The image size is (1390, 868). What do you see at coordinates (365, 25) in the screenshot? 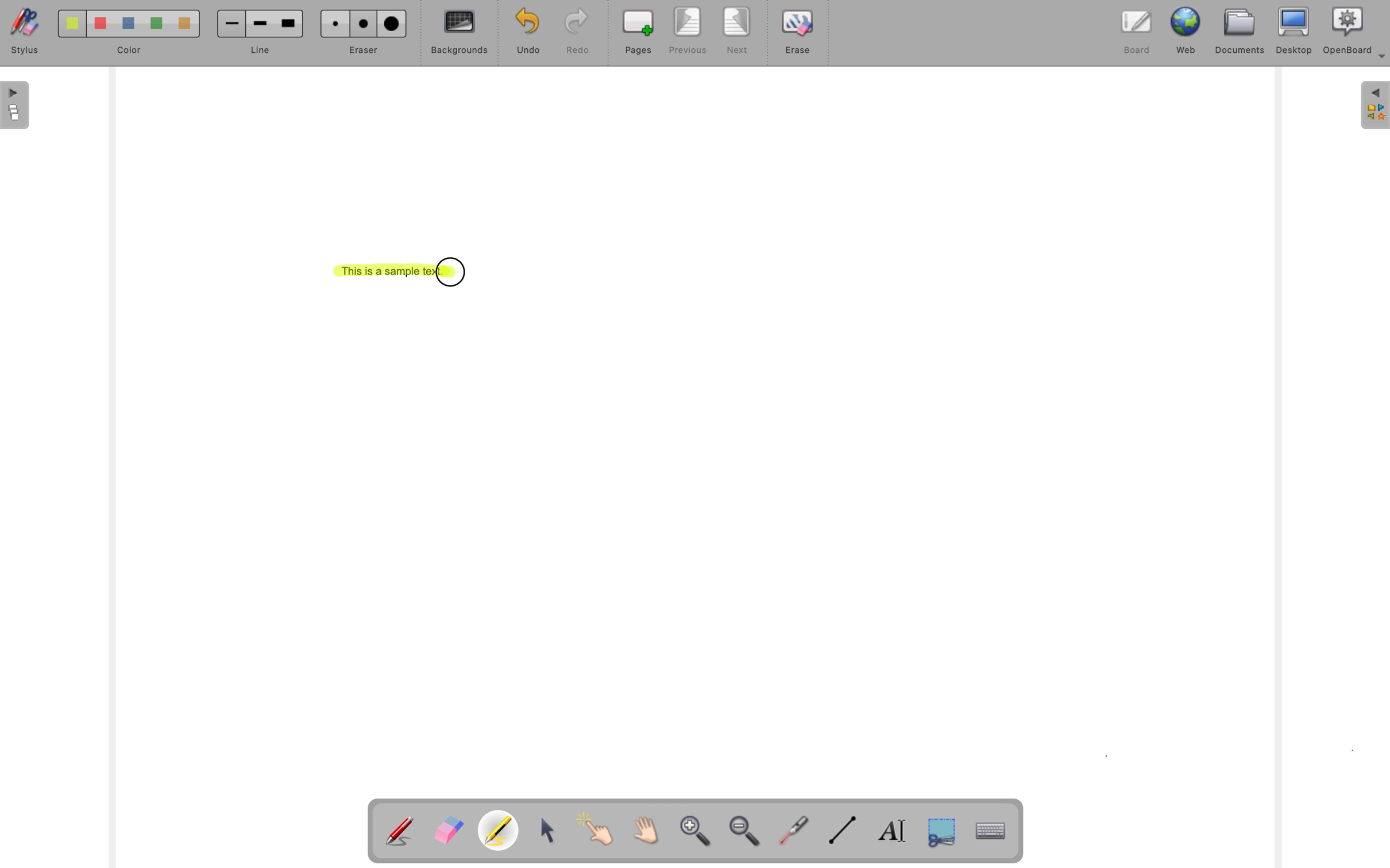
I see `Medium eraser` at bounding box center [365, 25].